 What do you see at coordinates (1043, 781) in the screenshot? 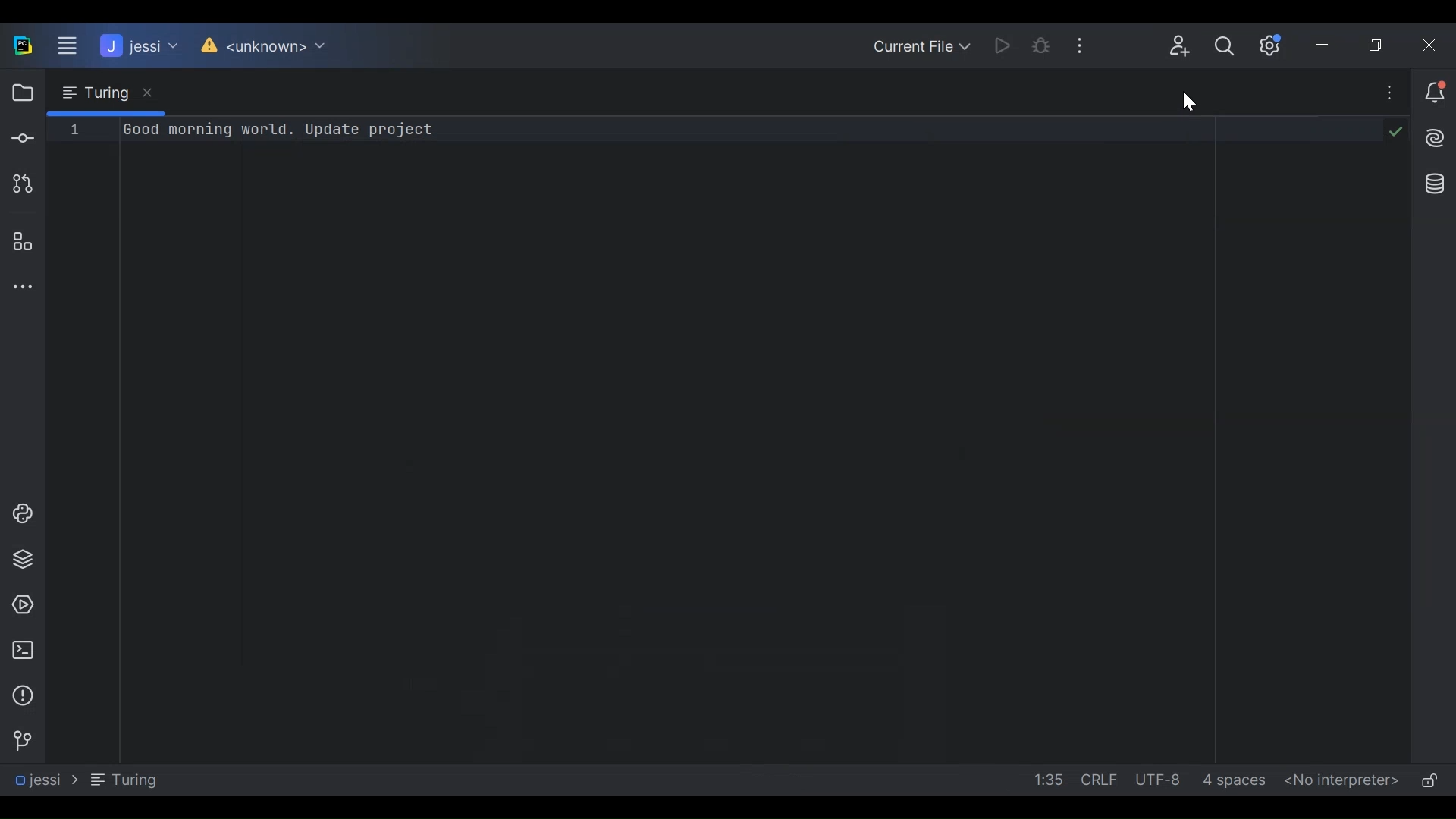
I see `1:35` at bounding box center [1043, 781].